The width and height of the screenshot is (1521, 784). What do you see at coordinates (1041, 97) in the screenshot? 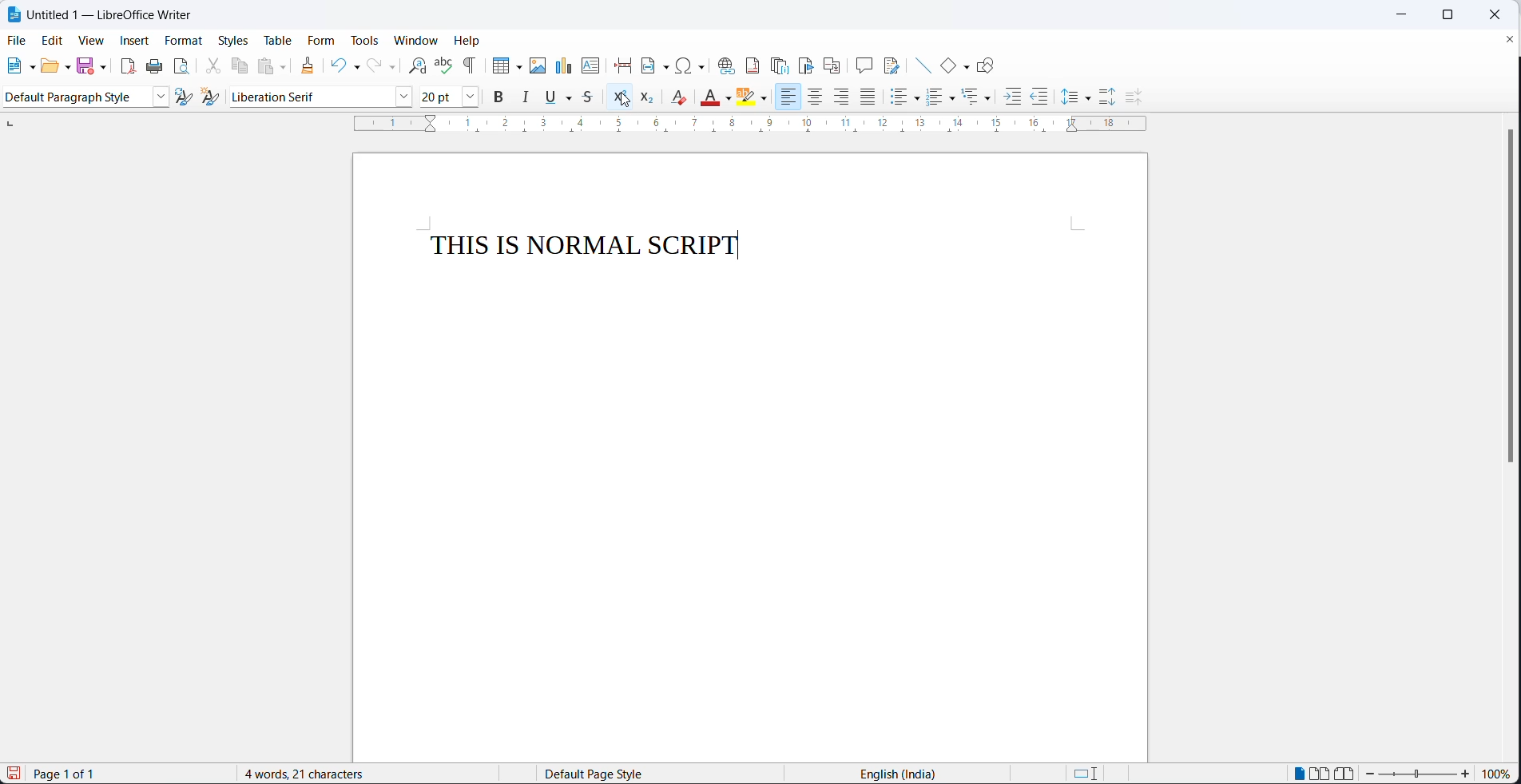
I see `decrease indent` at bounding box center [1041, 97].